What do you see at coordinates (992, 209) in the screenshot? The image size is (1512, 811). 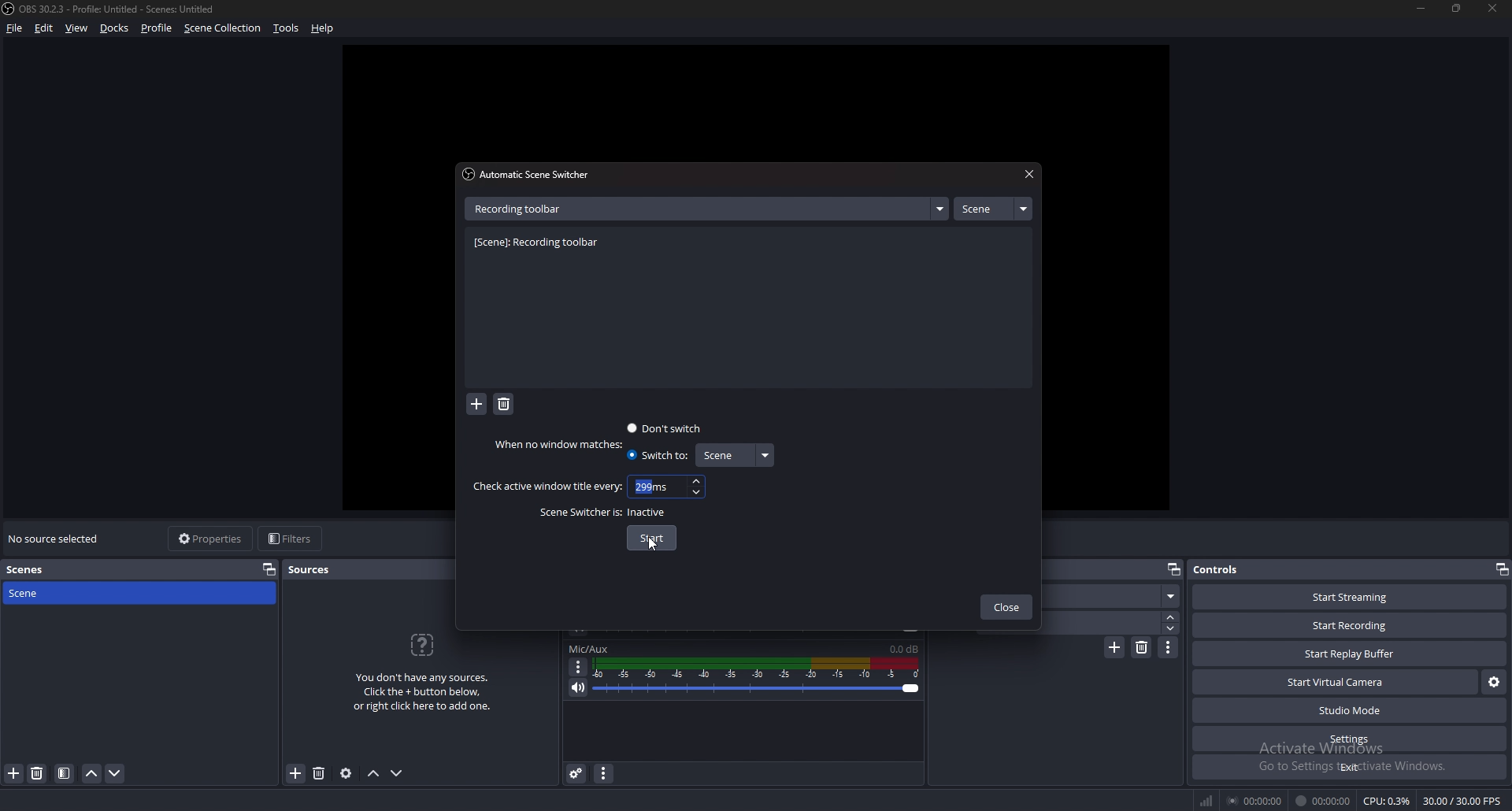 I see `scene` at bounding box center [992, 209].